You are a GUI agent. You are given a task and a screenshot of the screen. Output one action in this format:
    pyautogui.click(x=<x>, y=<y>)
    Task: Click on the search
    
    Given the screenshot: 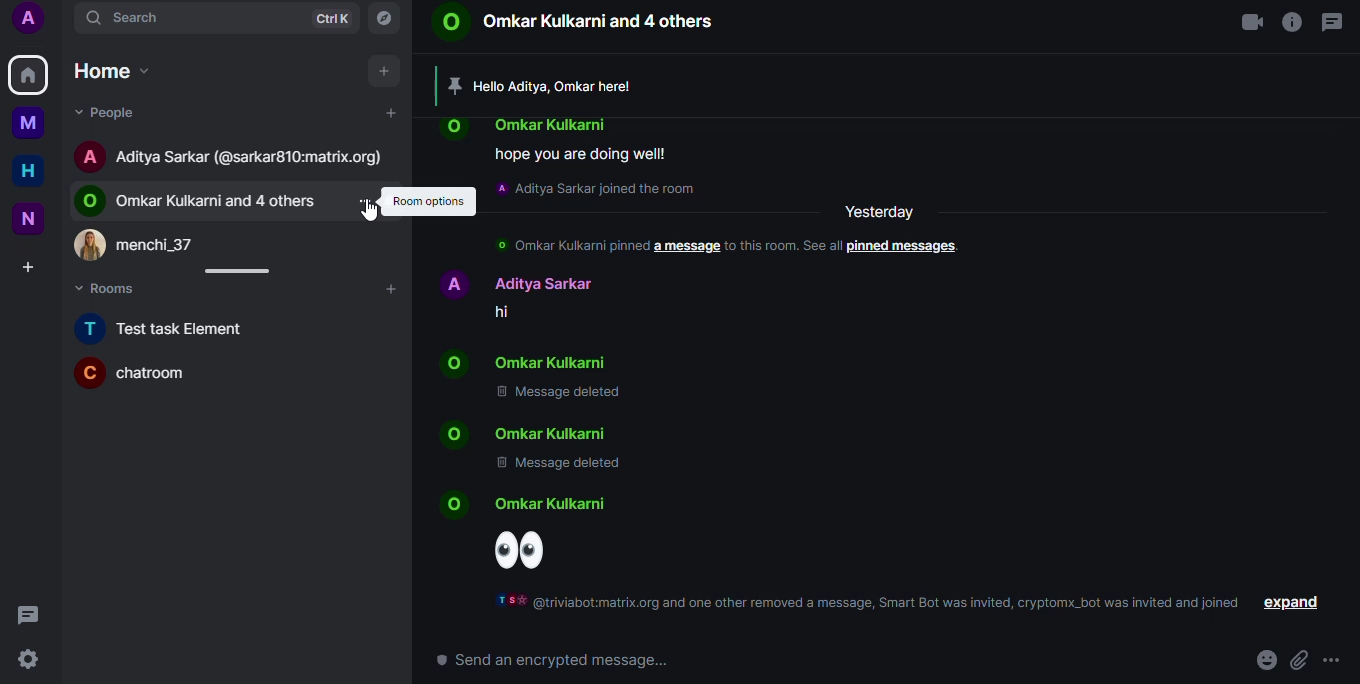 What is the action you would take?
    pyautogui.click(x=145, y=18)
    